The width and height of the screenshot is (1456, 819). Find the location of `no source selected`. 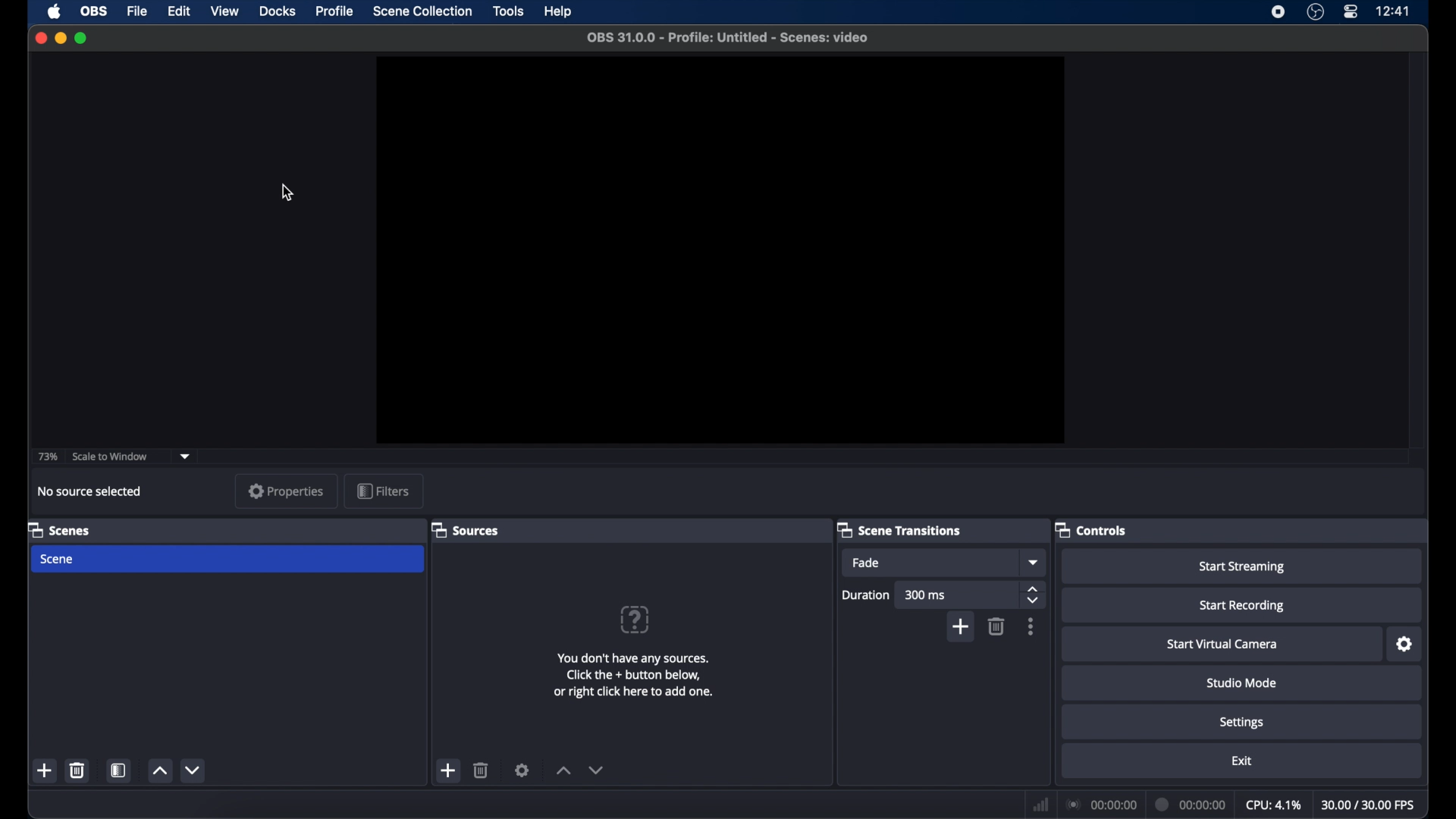

no source selected is located at coordinates (90, 491).